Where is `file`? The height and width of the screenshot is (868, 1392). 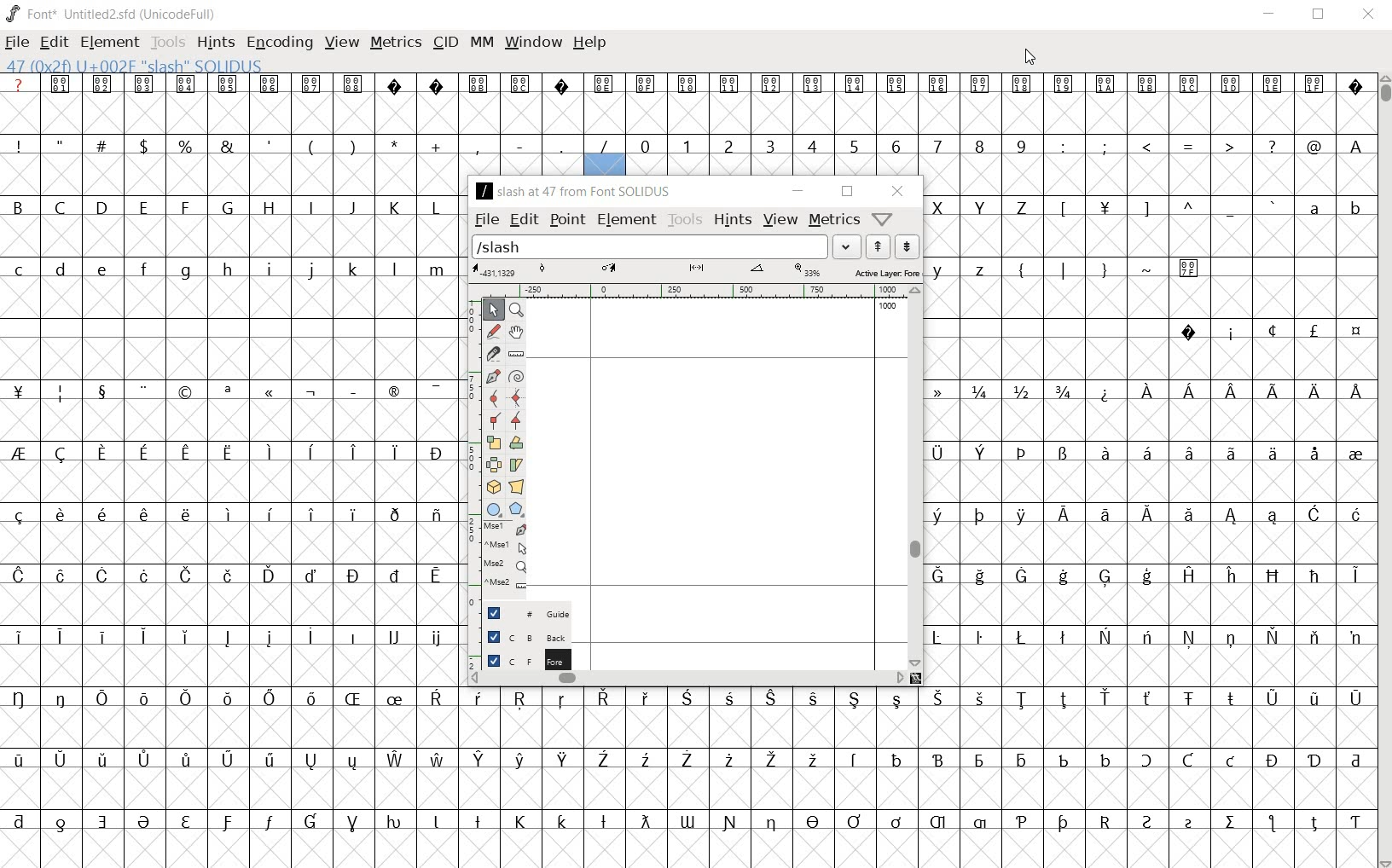 file is located at coordinates (486, 219).